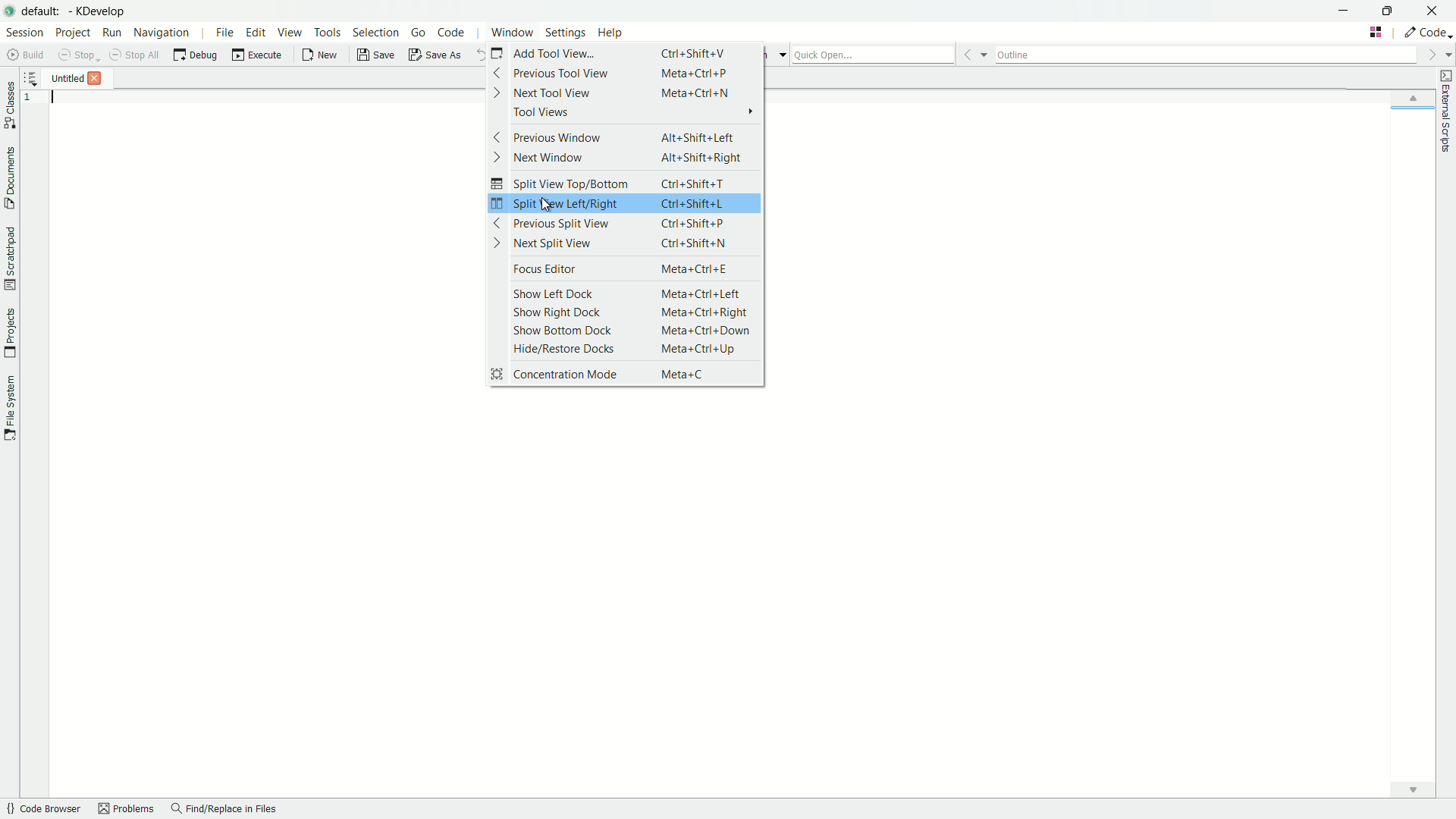  I want to click on Alt+Shift+Left, so click(701, 137).